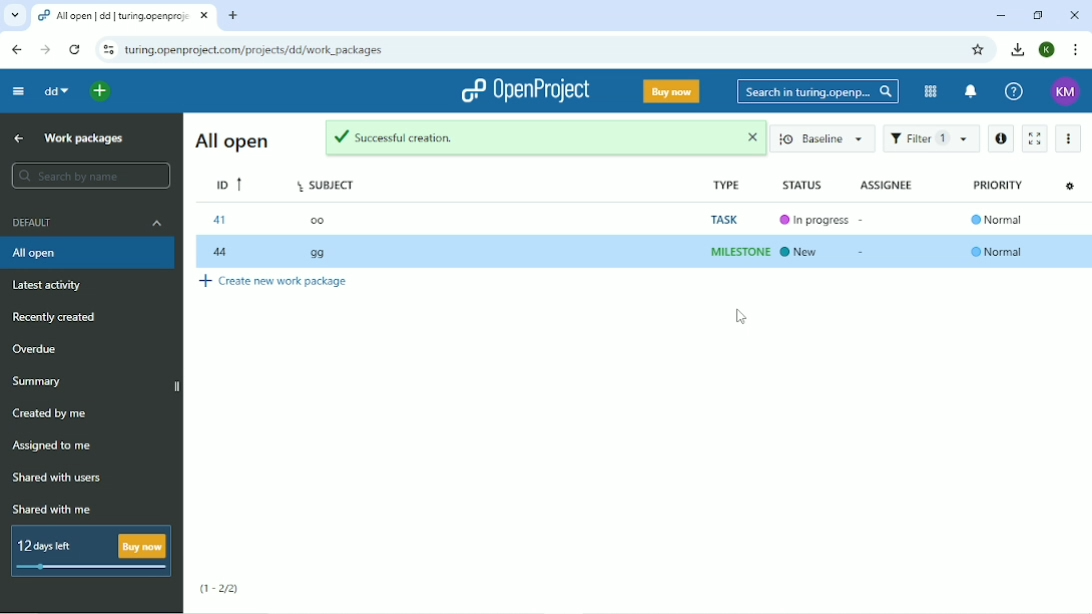  I want to click on Status, so click(801, 186).